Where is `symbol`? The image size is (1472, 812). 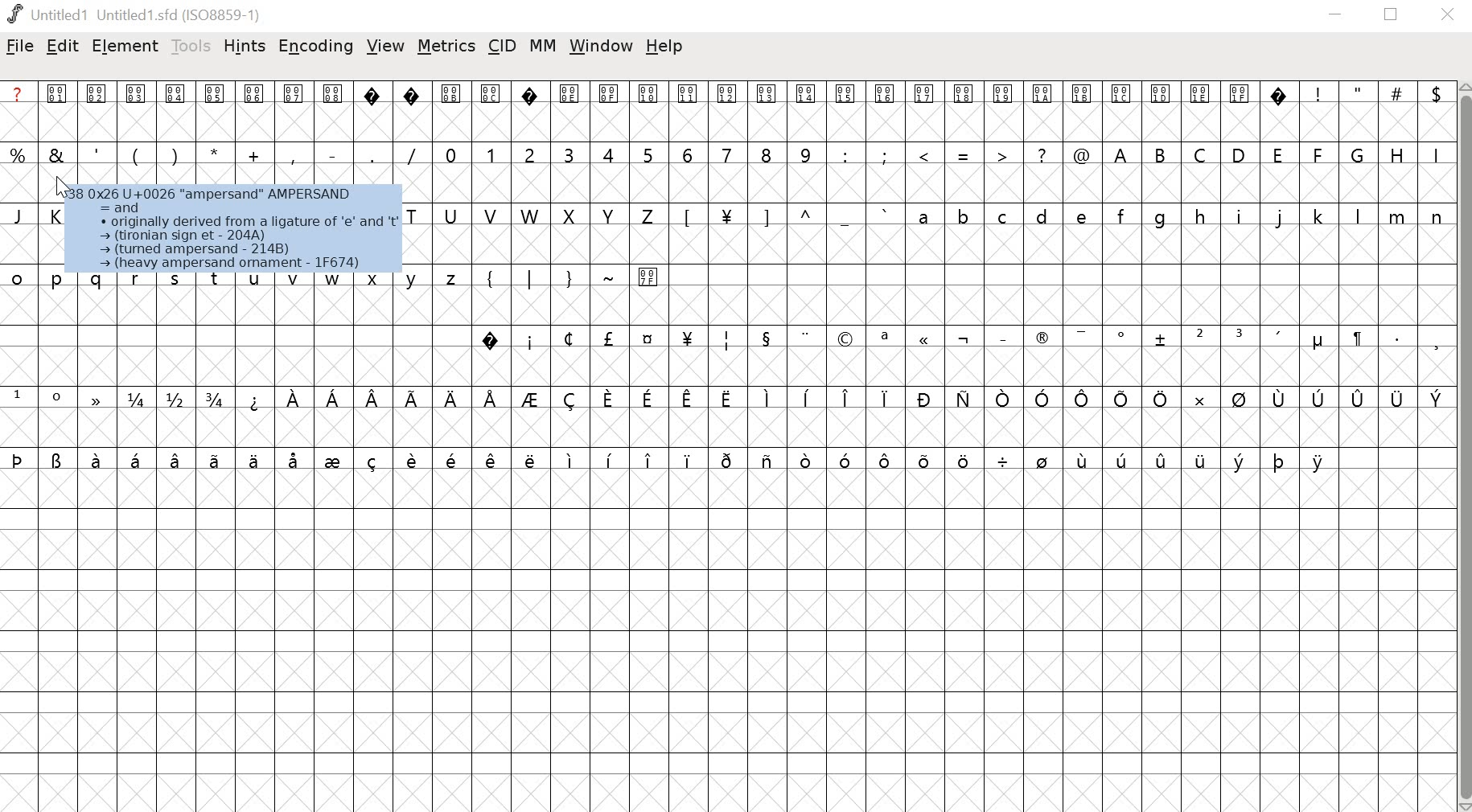
symbol is located at coordinates (763, 337).